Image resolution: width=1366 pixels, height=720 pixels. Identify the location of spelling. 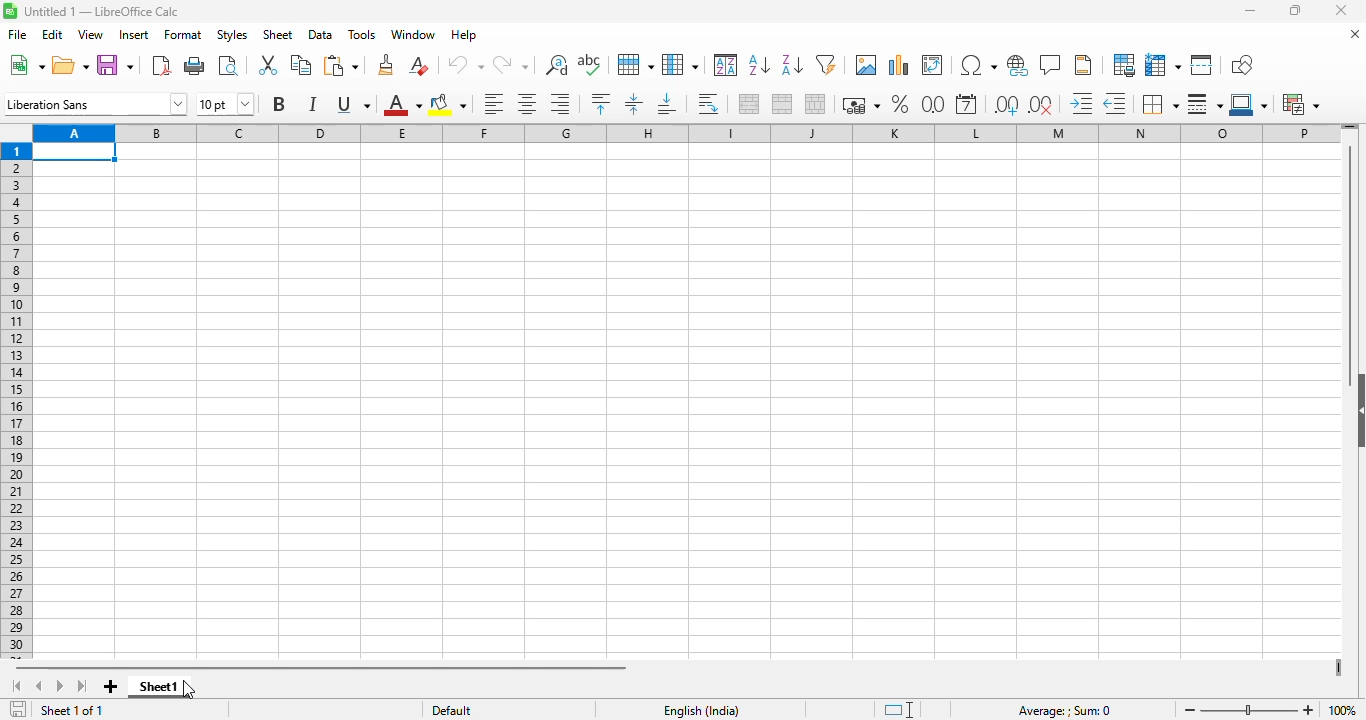
(591, 65).